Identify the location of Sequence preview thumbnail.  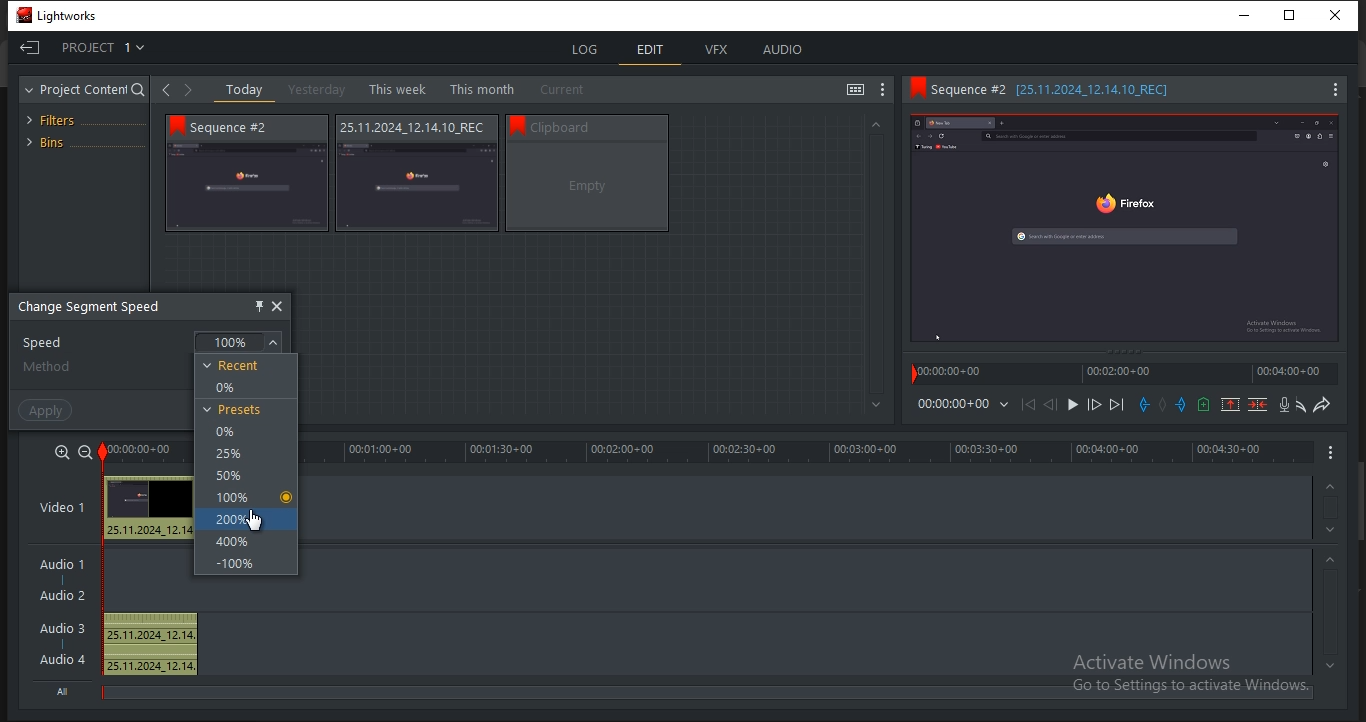
(1123, 226).